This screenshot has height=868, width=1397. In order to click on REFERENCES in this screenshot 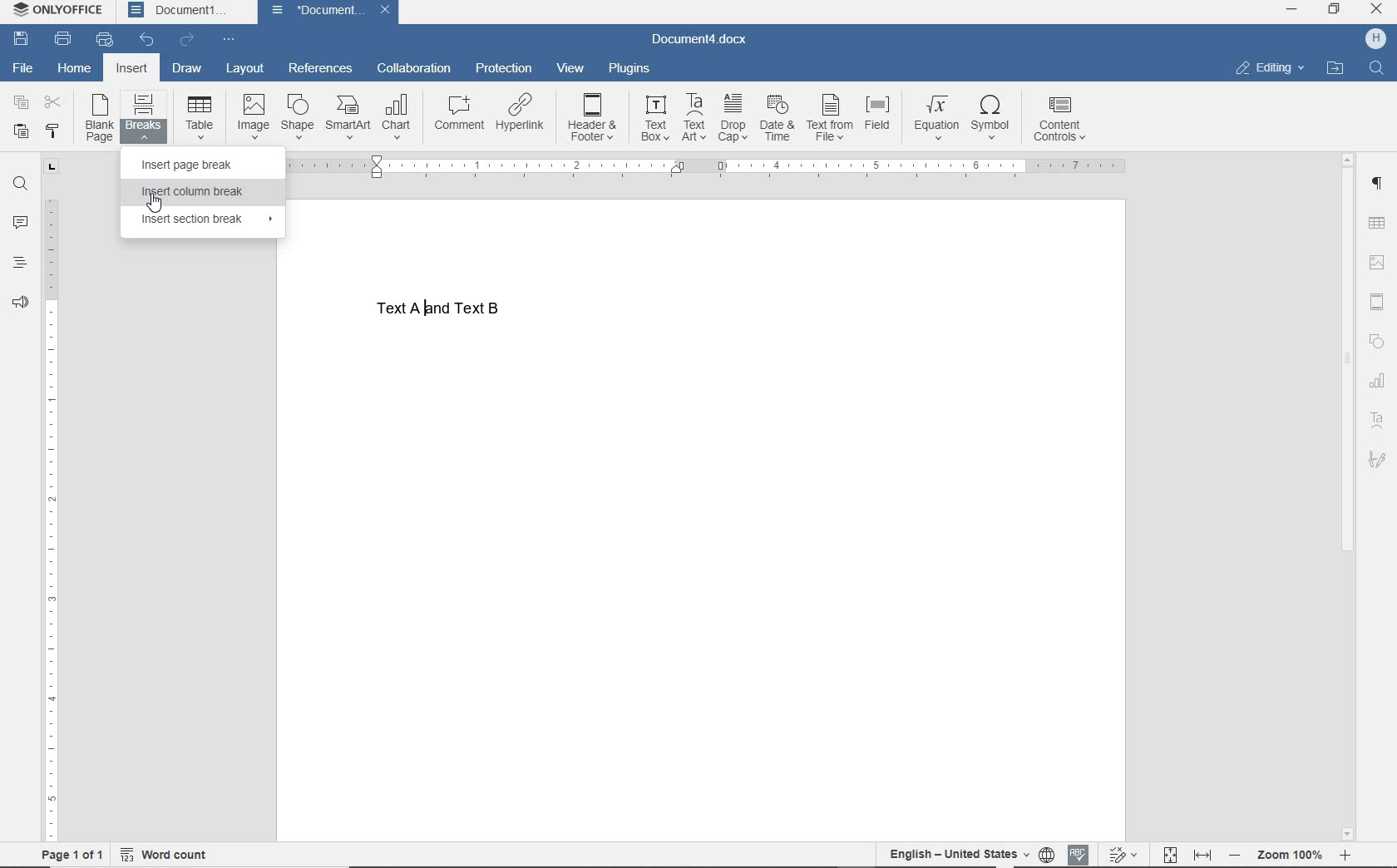, I will do `click(321, 70)`.